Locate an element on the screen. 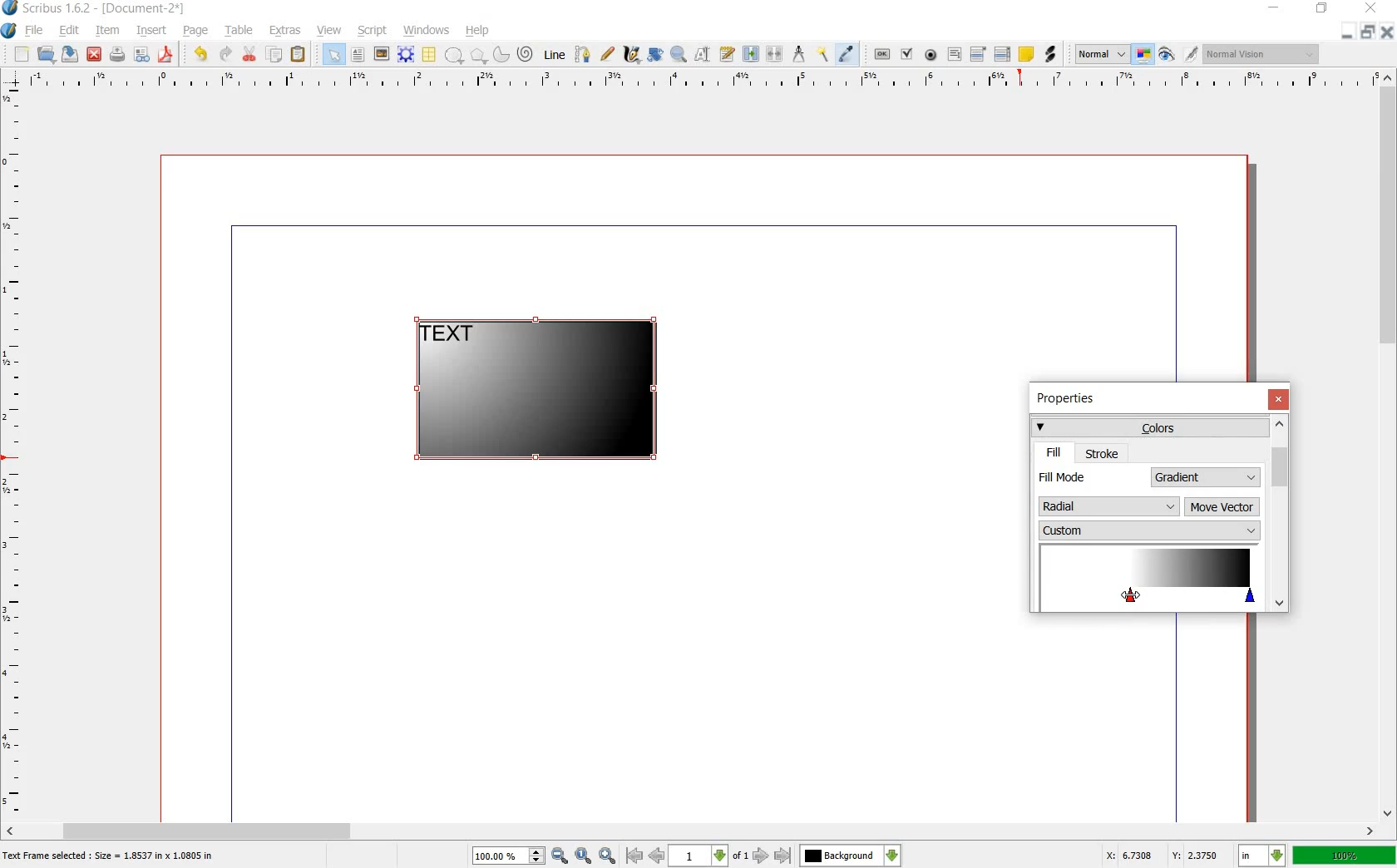 The width and height of the screenshot is (1397, 868). calligraphic line is located at coordinates (631, 53).